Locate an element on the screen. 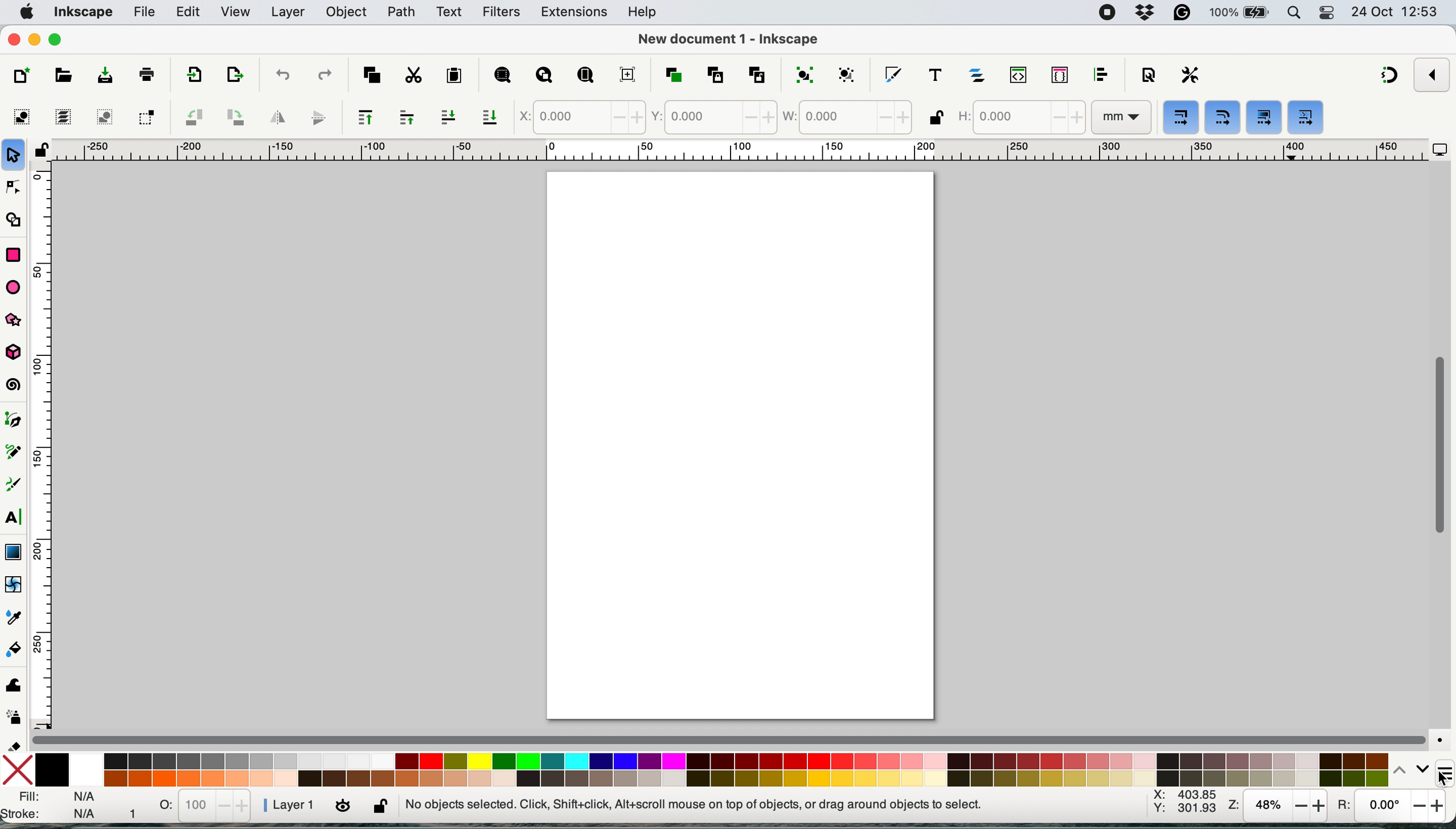 Image resolution: width=1456 pixels, height=829 pixels. vertical scroll bar is located at coordinates (1438, 449).